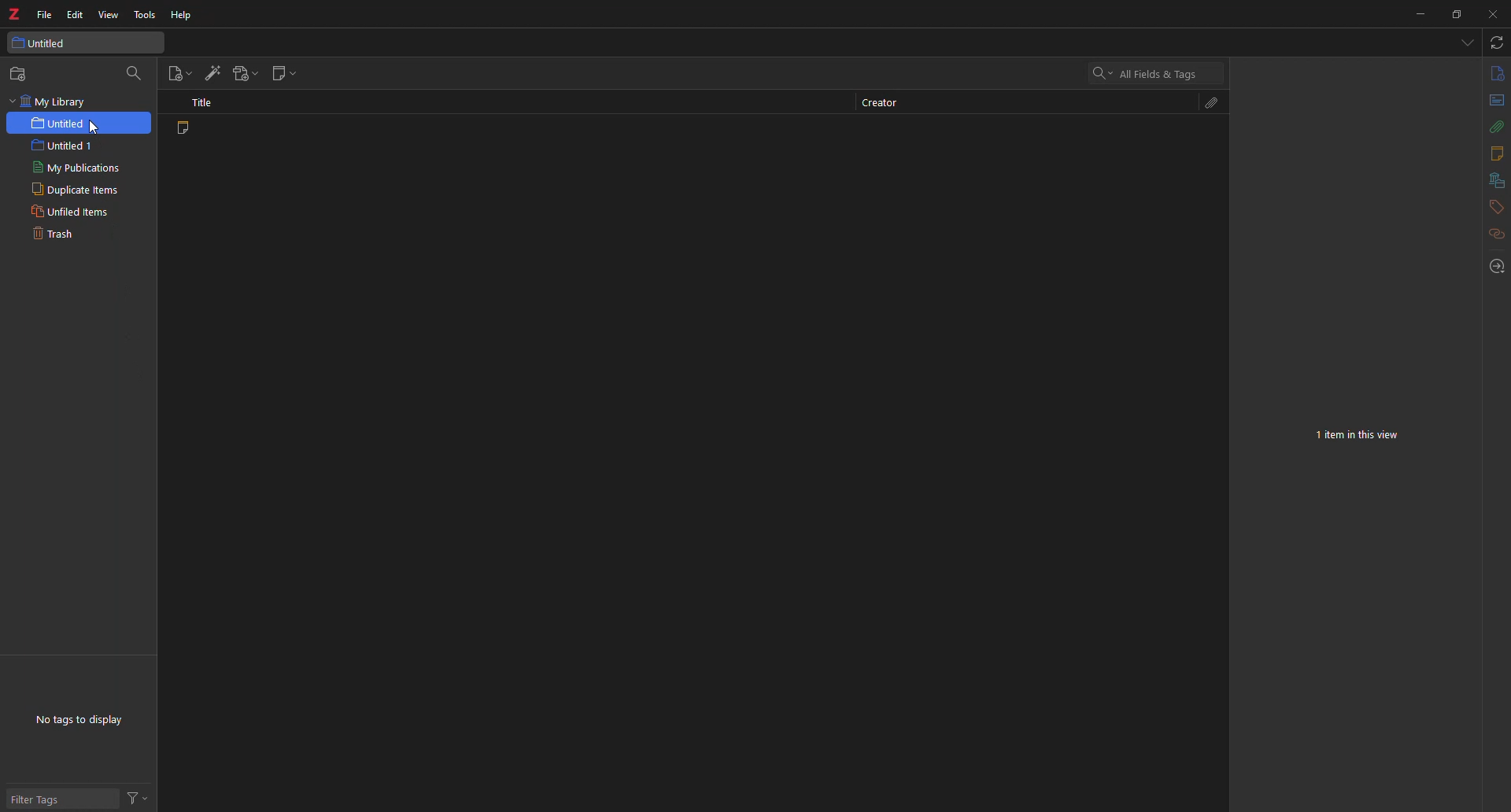 Image resolution: width=1511 pixels, height=812 pixels. Describe the element at coordinates (39, 42) in the screenshot. I see `untitled` at that location.